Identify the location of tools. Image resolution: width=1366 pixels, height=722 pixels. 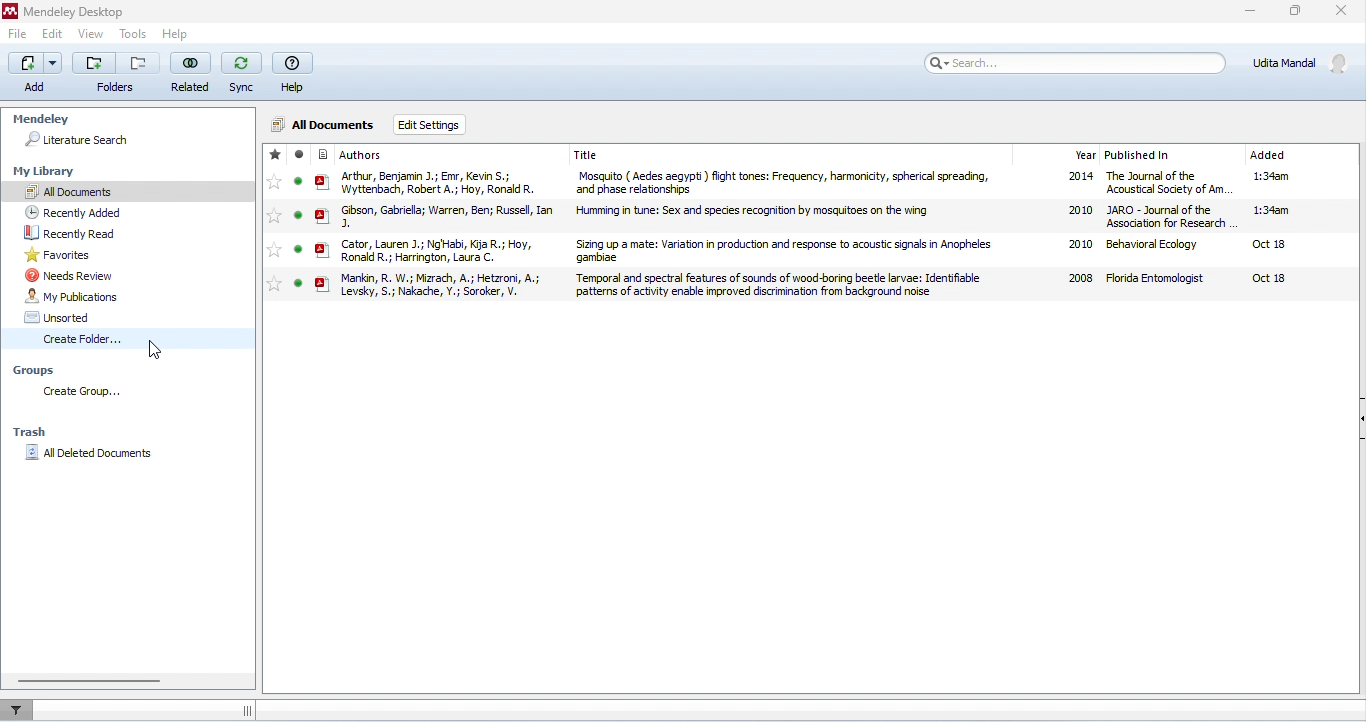
(134, 34).